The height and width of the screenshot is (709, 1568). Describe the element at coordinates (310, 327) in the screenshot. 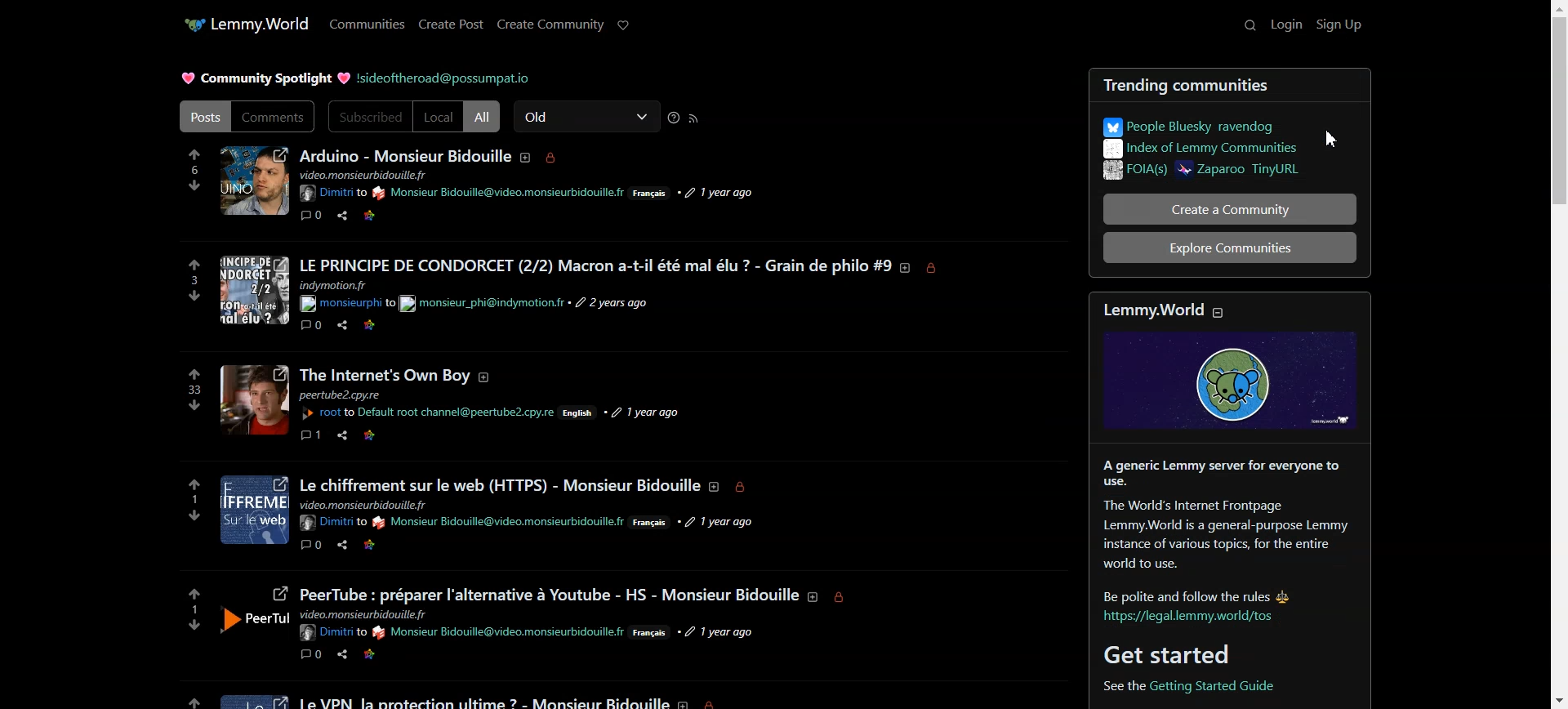

I see `comment` at that location.